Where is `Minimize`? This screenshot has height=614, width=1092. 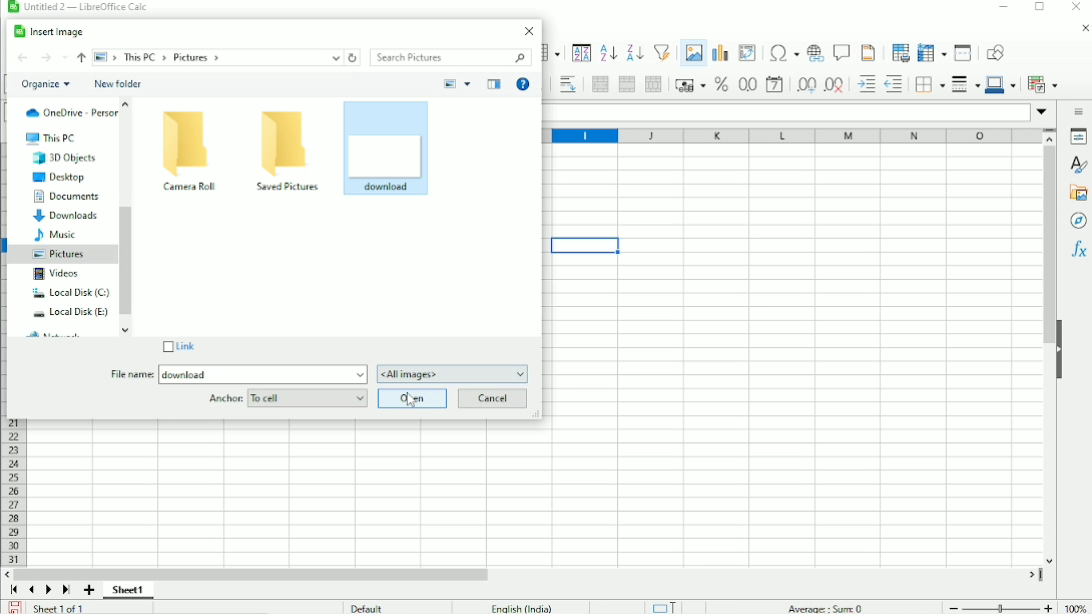 Minimize is located at coordinates (1001, 8).